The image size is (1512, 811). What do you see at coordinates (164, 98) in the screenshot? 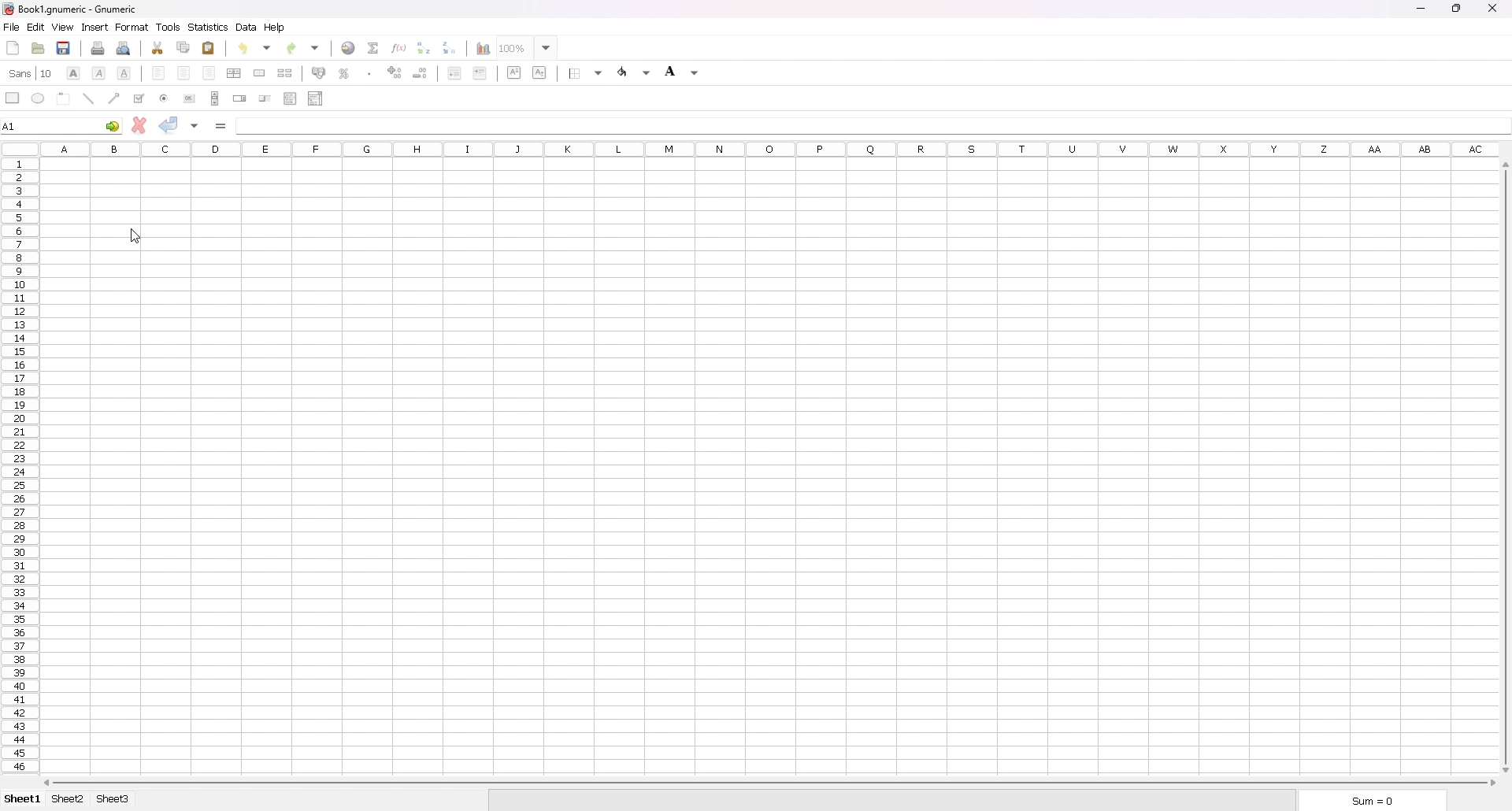
I see `radio button` at bounding box center [164, 98].